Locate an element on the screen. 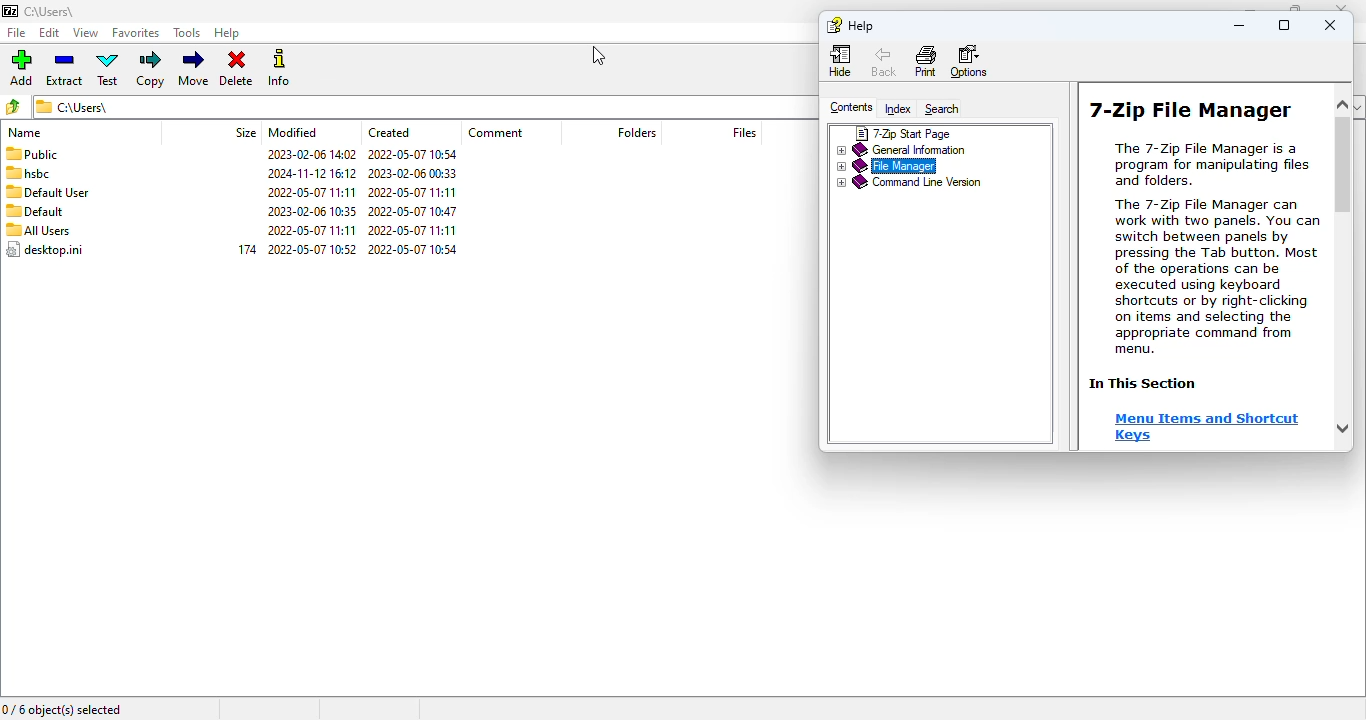 Image resolution: width=1366 pixels, height=720 pixels. folder name is located at coordinates (51, 11).